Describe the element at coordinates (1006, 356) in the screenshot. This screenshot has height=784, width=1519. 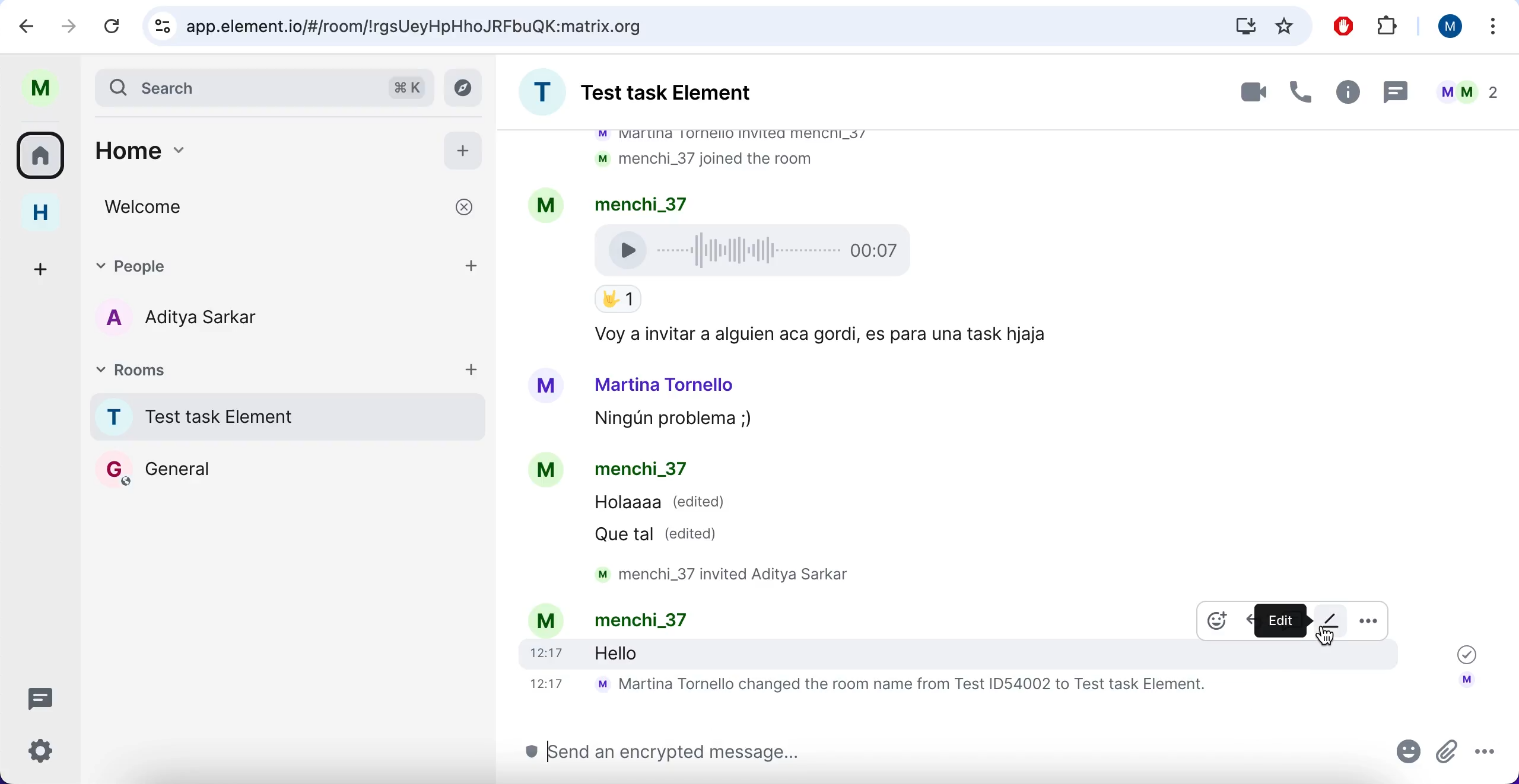
I see `chat` at that location.